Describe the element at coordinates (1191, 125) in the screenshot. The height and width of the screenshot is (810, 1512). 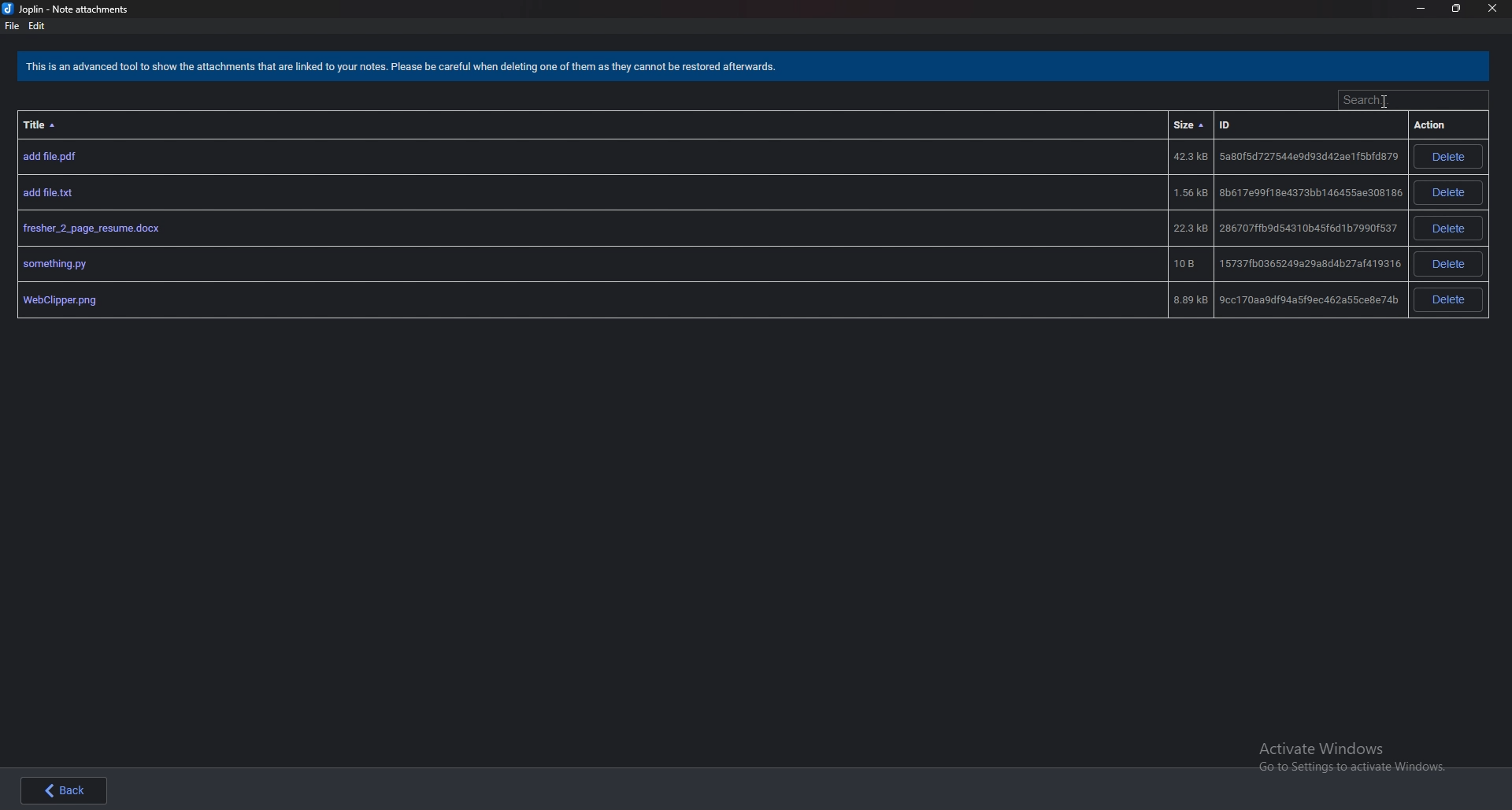
I see `Size` at that location.